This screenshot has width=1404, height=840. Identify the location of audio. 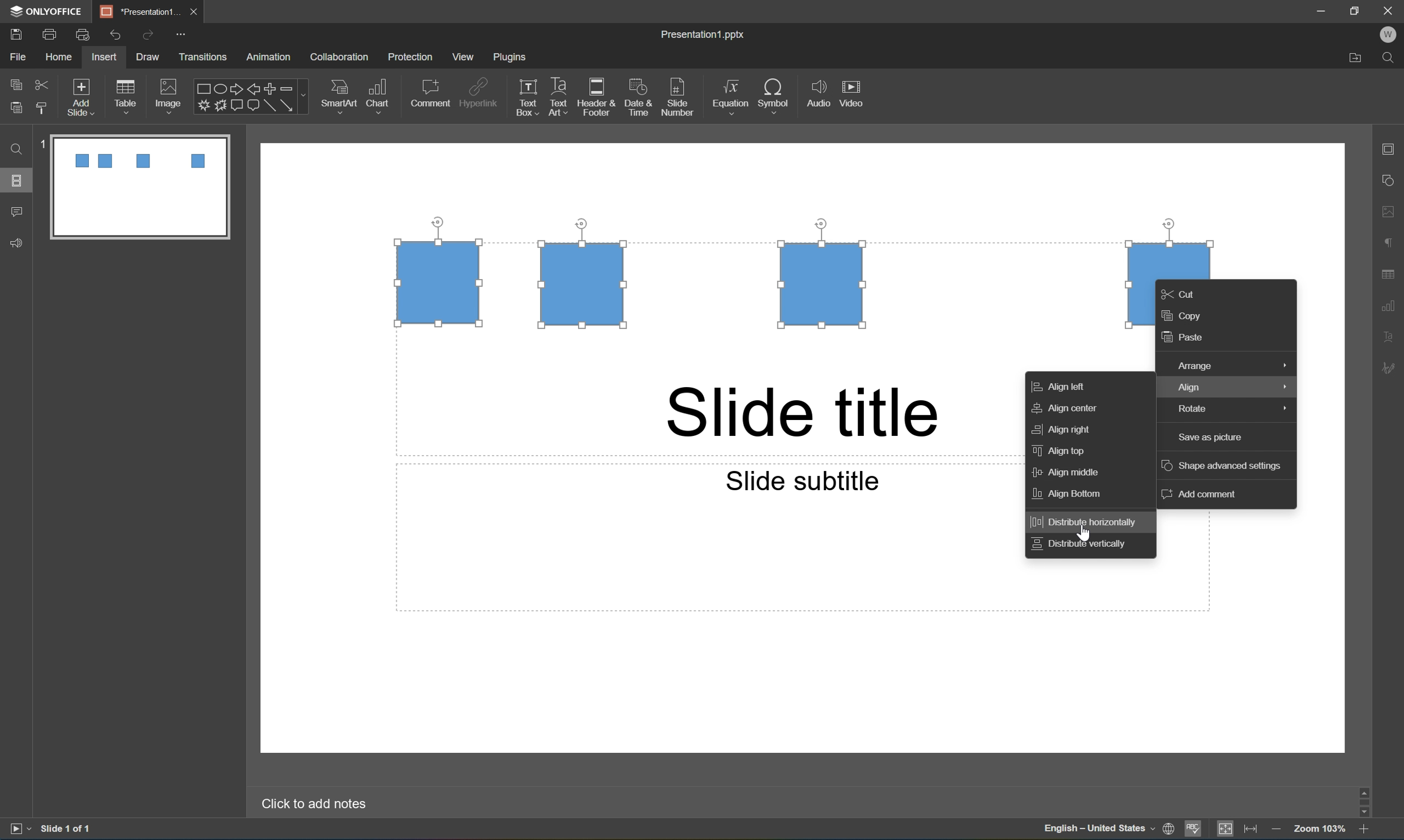
(816, 96).